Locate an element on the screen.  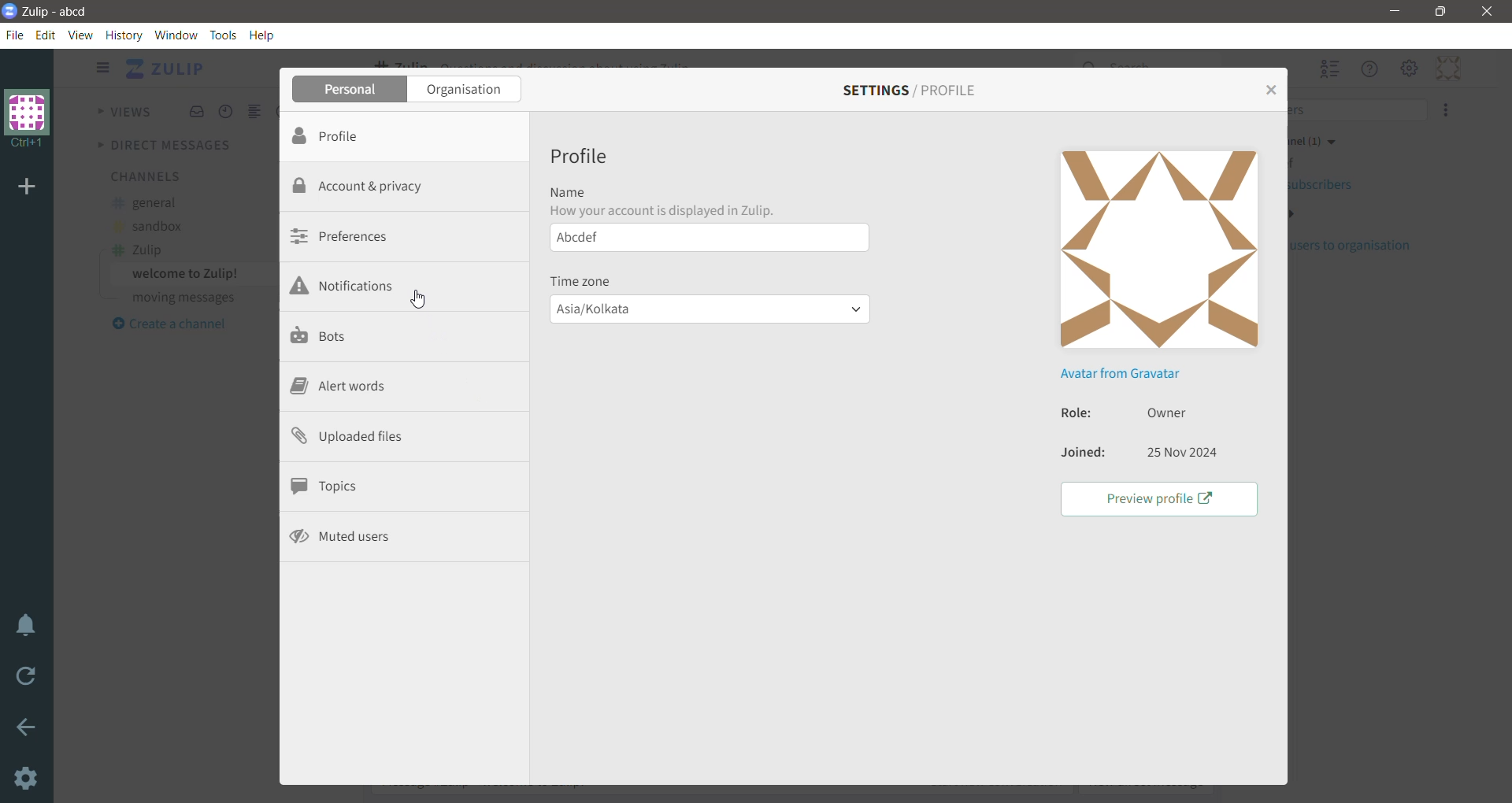
Joined is located at coordinates (1081, 455).